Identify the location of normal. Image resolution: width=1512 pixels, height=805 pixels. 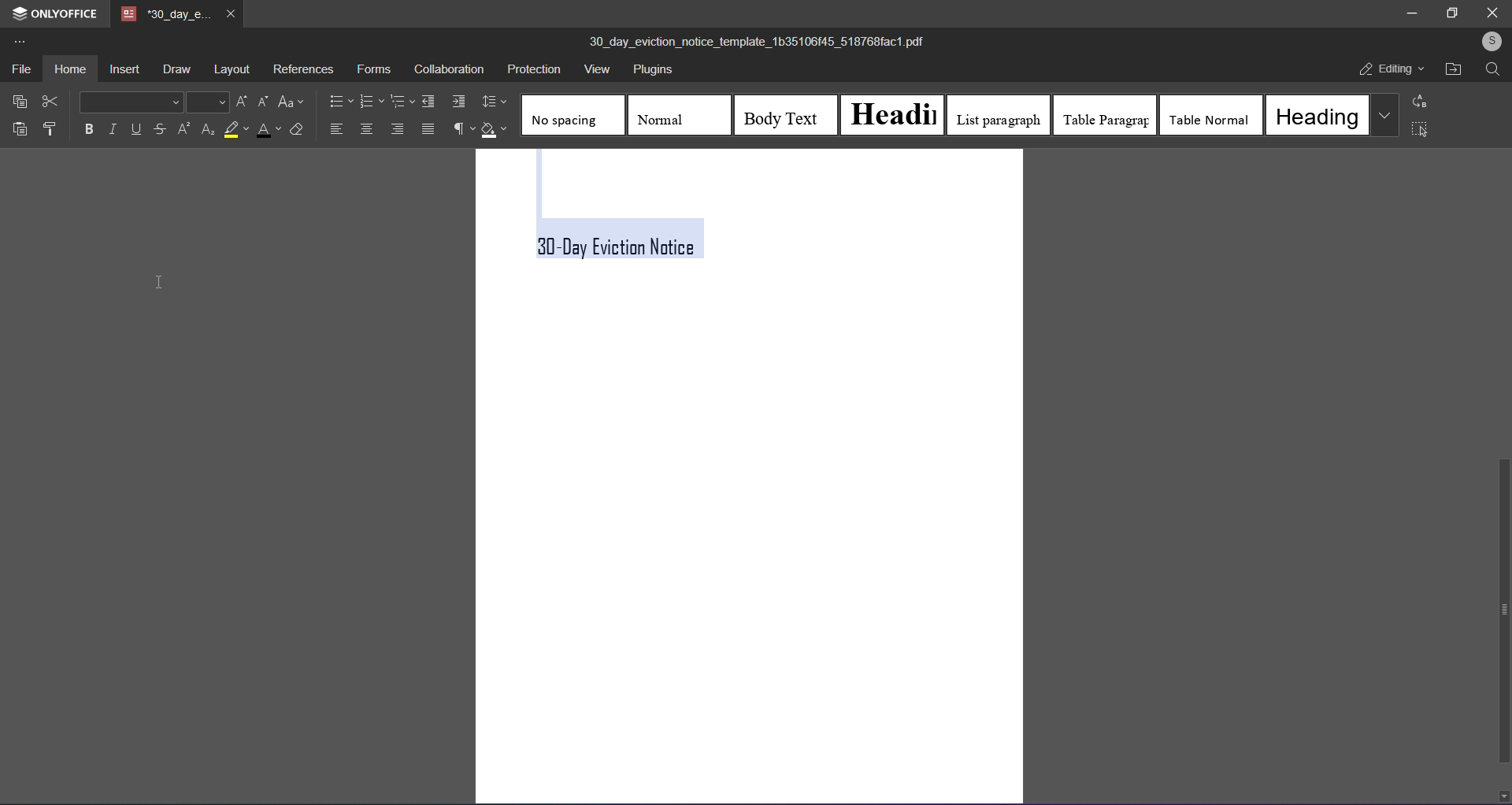
(671, 114).